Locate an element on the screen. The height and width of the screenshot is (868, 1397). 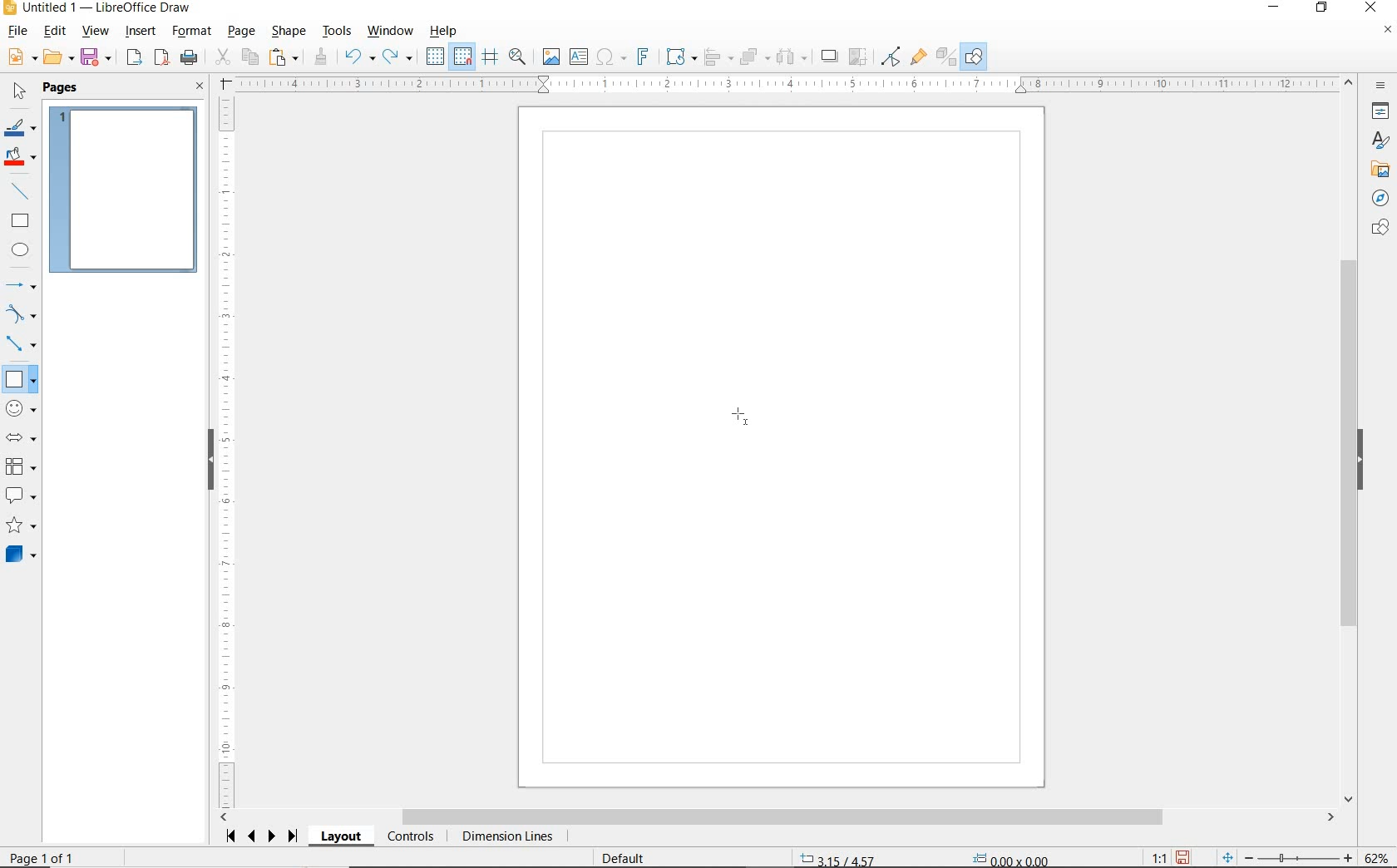
FILE is located at coordinates (16, 32).